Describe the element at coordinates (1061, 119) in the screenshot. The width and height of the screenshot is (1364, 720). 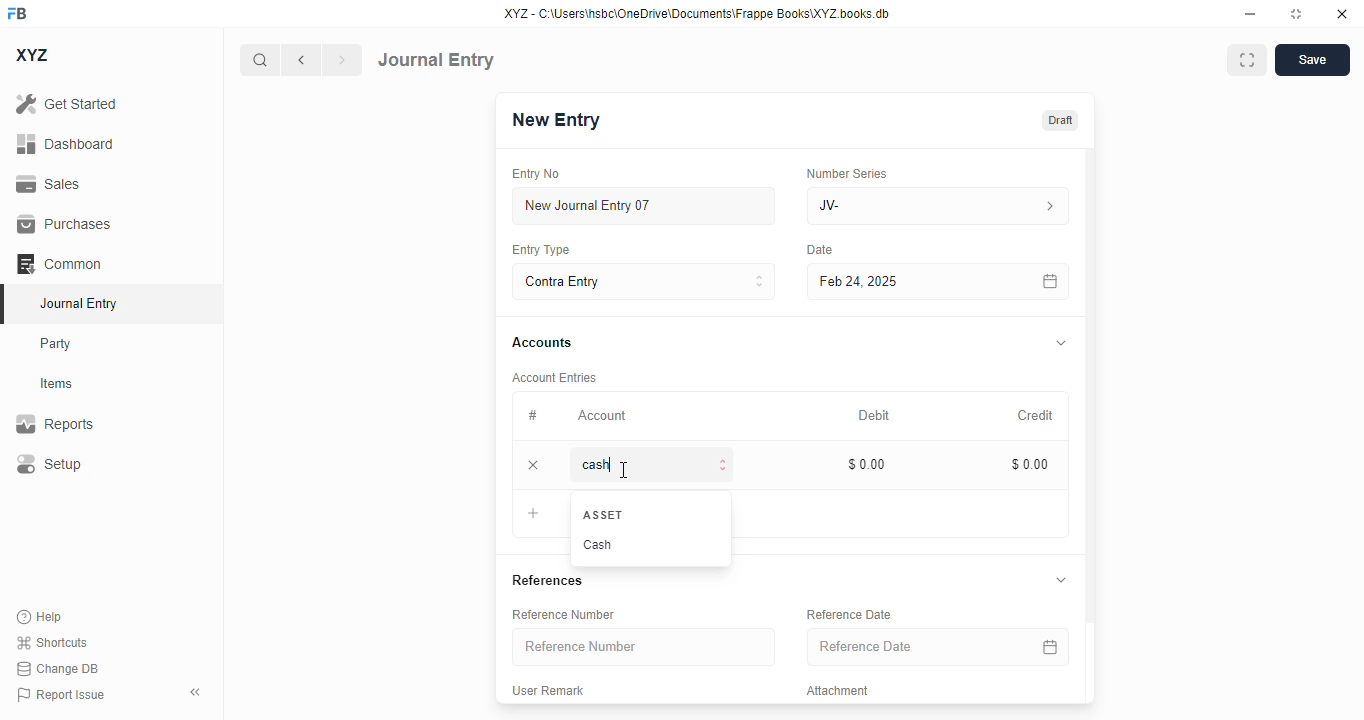
I see `draft` at that location.